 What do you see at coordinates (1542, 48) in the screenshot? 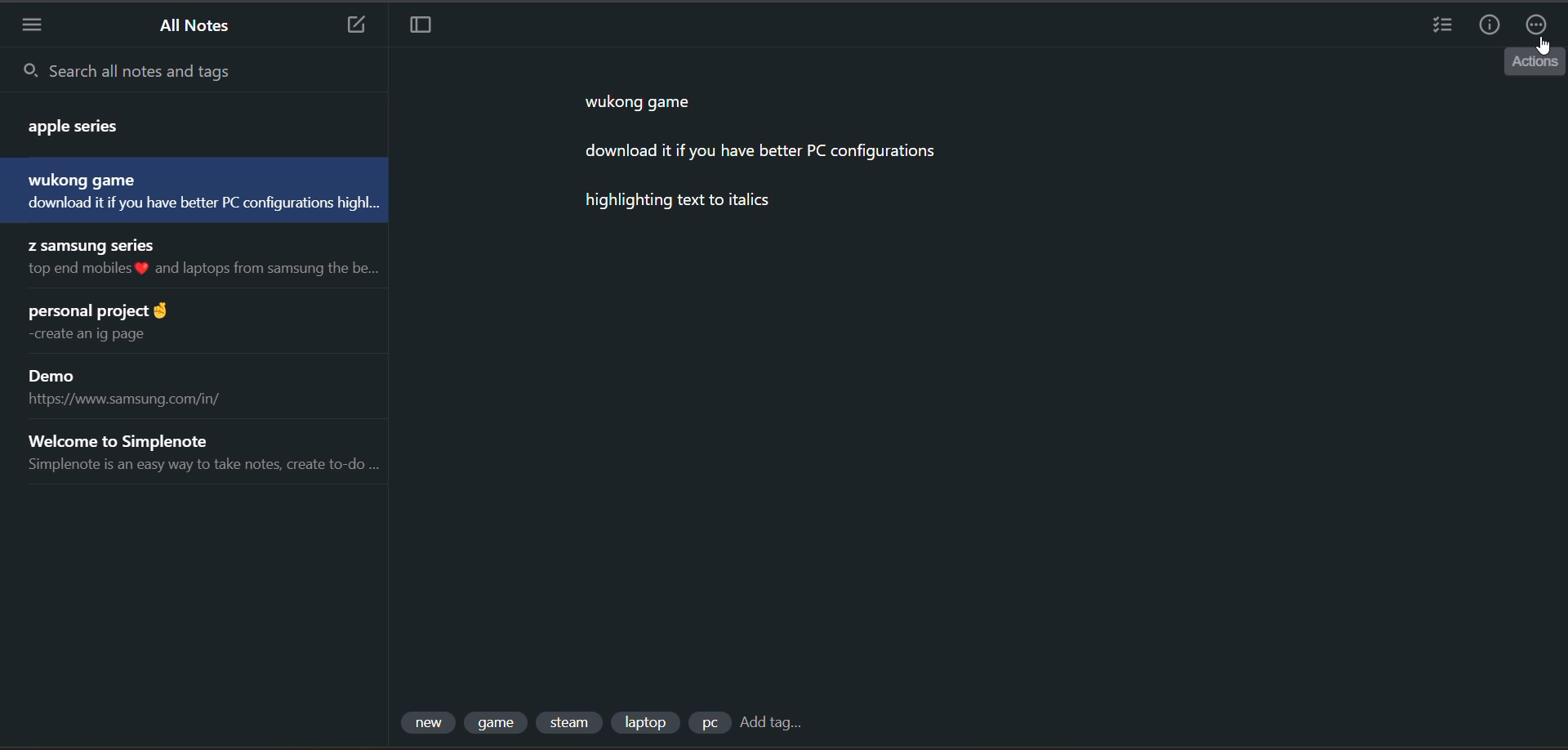
I see `cursor` at bounding box center [1542, 48].